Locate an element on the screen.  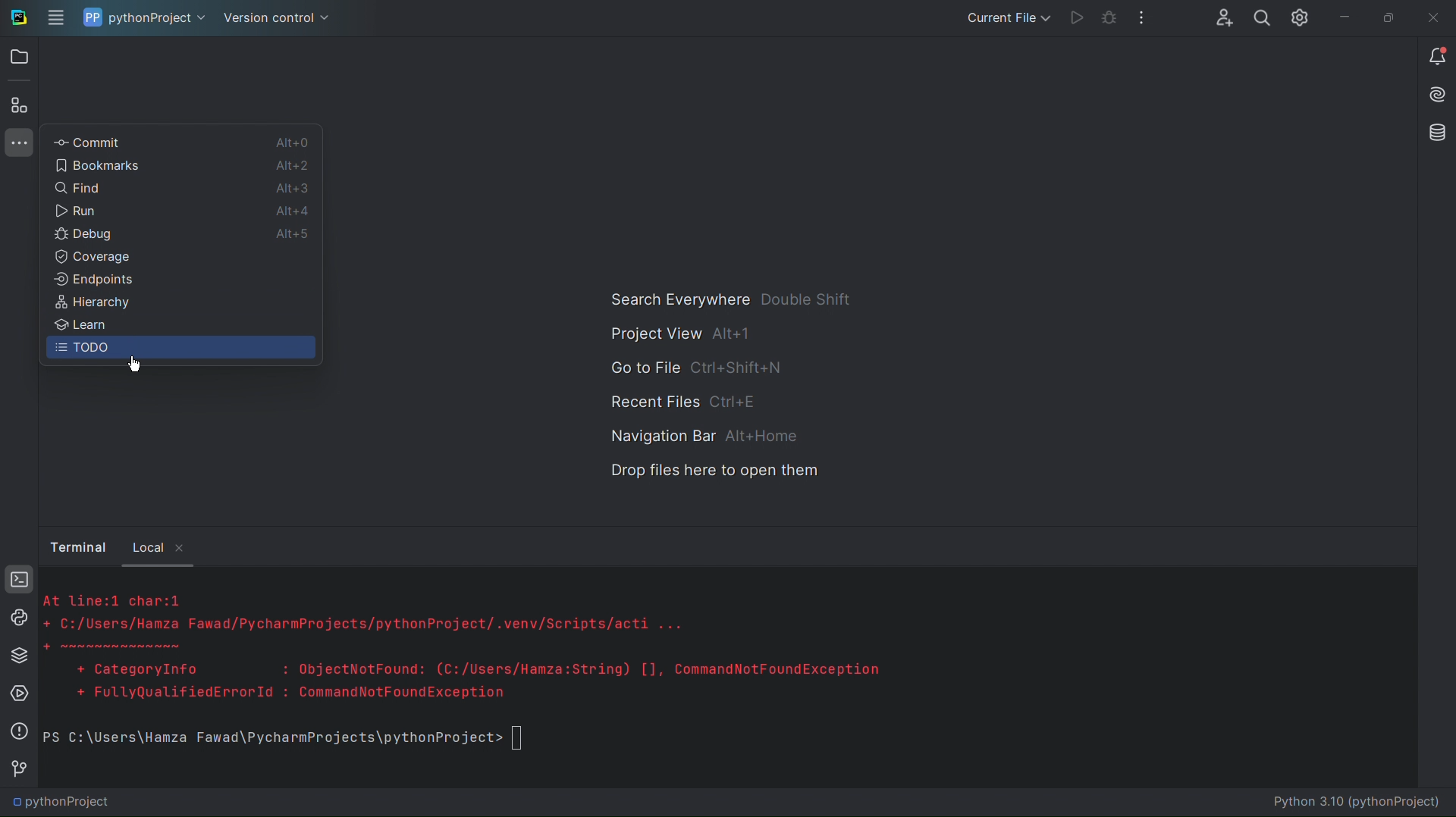
alt+ 5 is located at coordinates (296, 235).